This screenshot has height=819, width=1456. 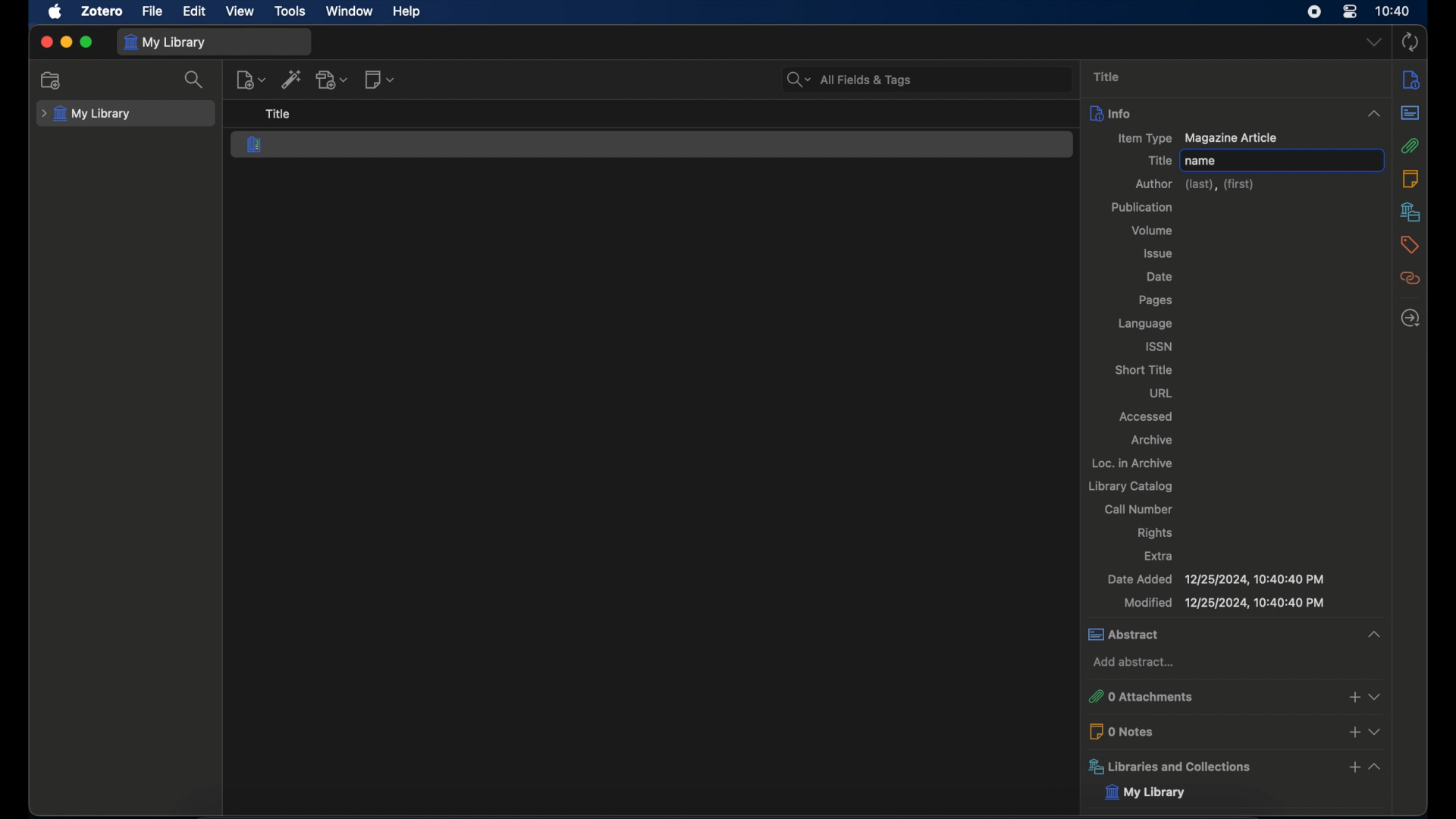 I want to click on abstract, so click(x=1410, y=113).